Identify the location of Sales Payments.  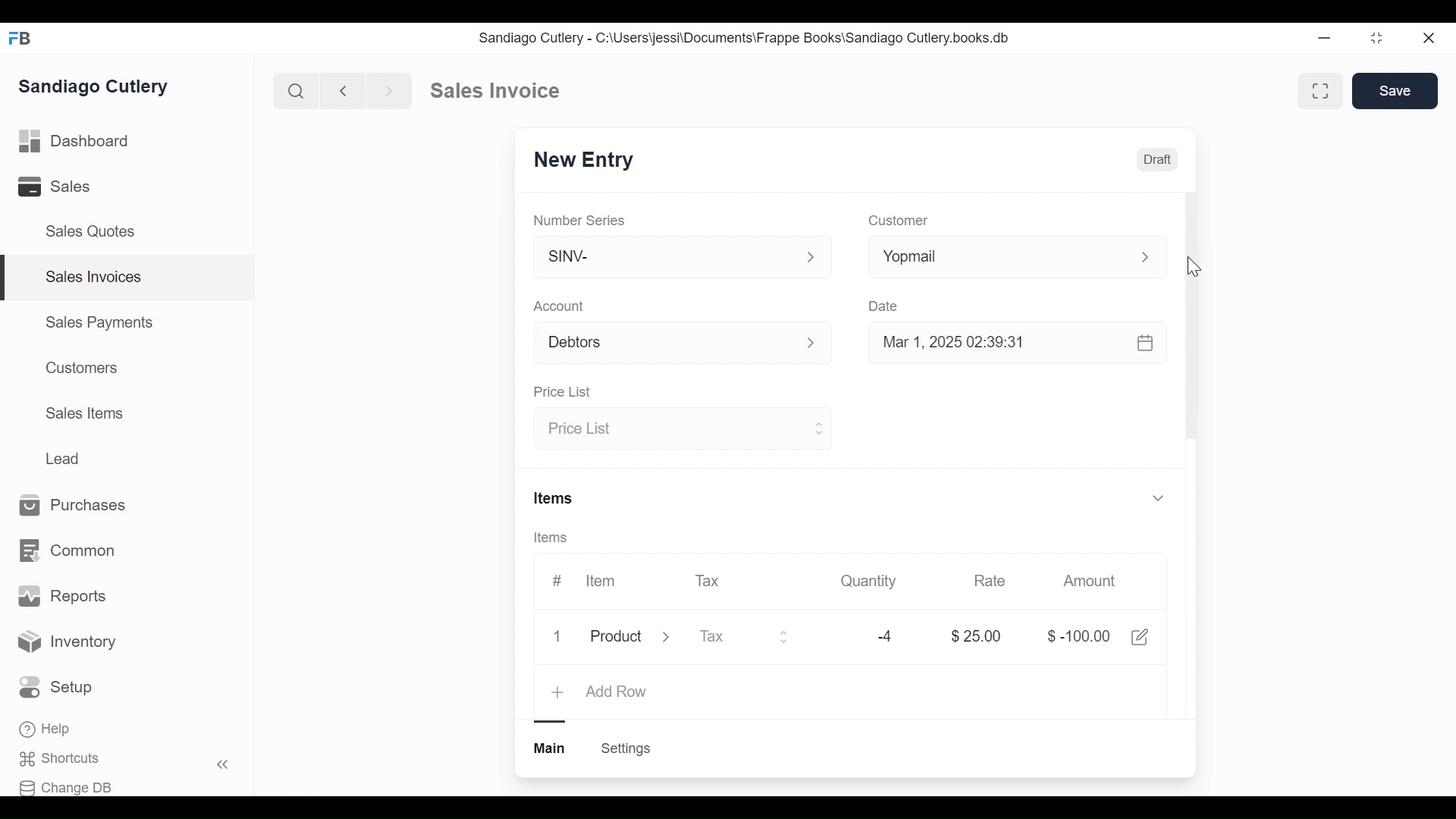
(99, 322).